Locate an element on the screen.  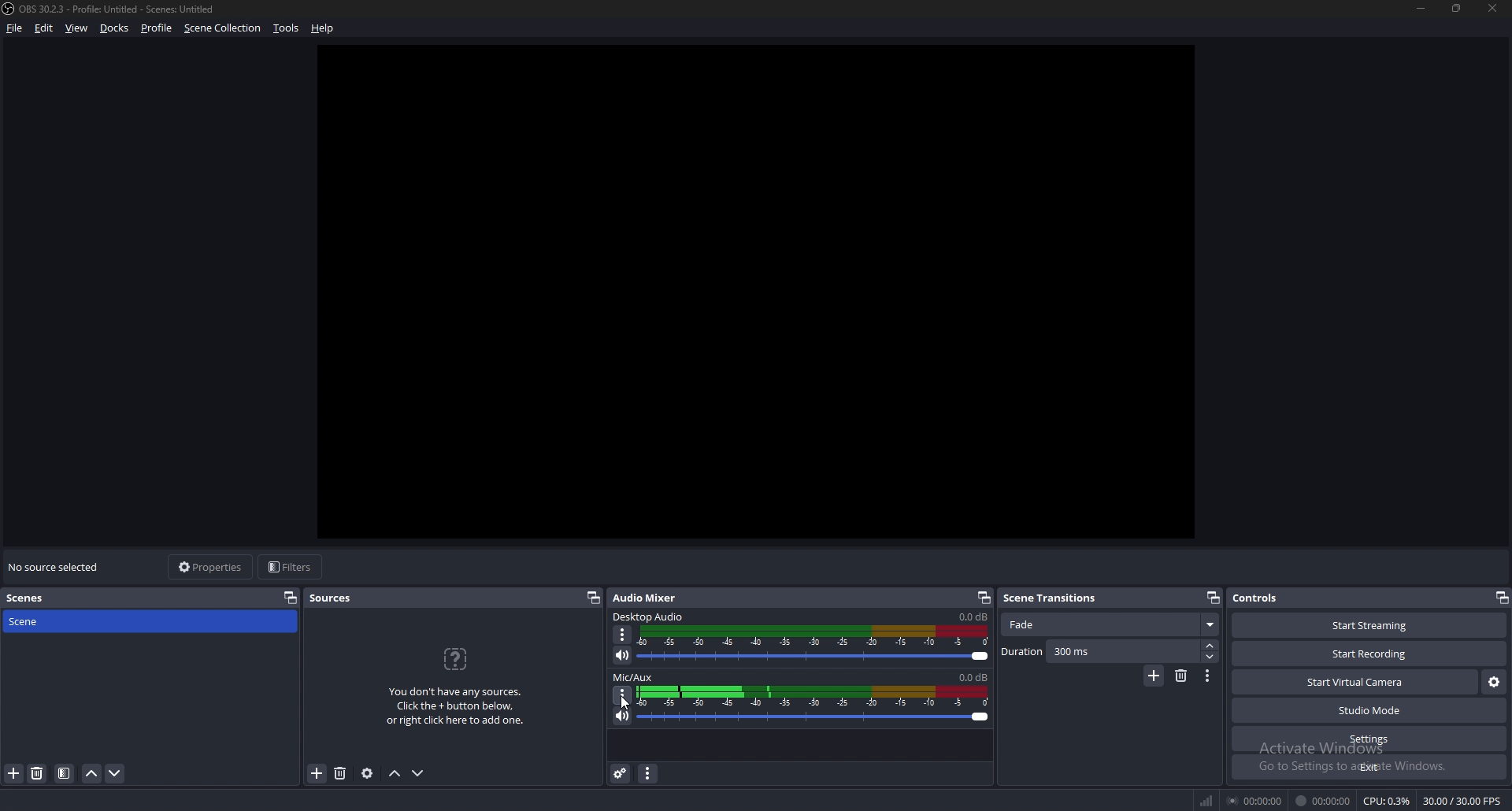
audio mixer menu is located at coordinates (648, 775).